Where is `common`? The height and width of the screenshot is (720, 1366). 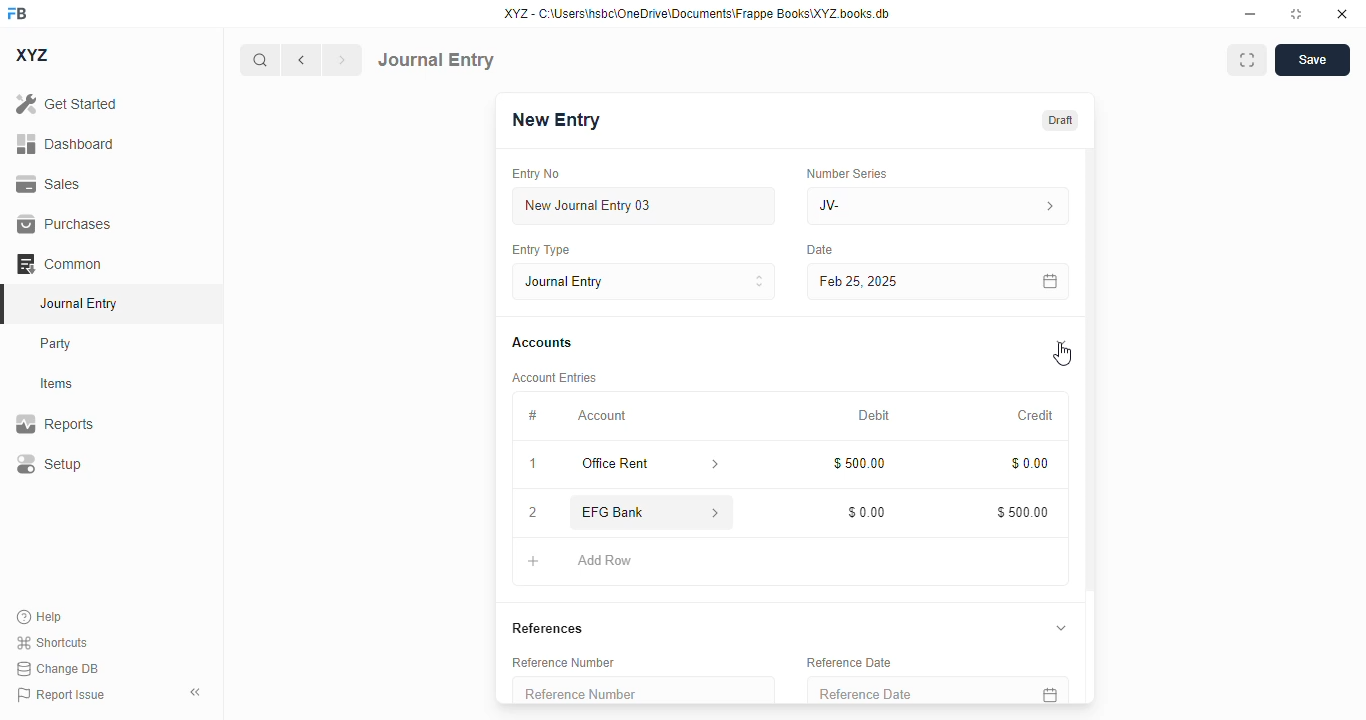
common is located at coordinates (59, 264).